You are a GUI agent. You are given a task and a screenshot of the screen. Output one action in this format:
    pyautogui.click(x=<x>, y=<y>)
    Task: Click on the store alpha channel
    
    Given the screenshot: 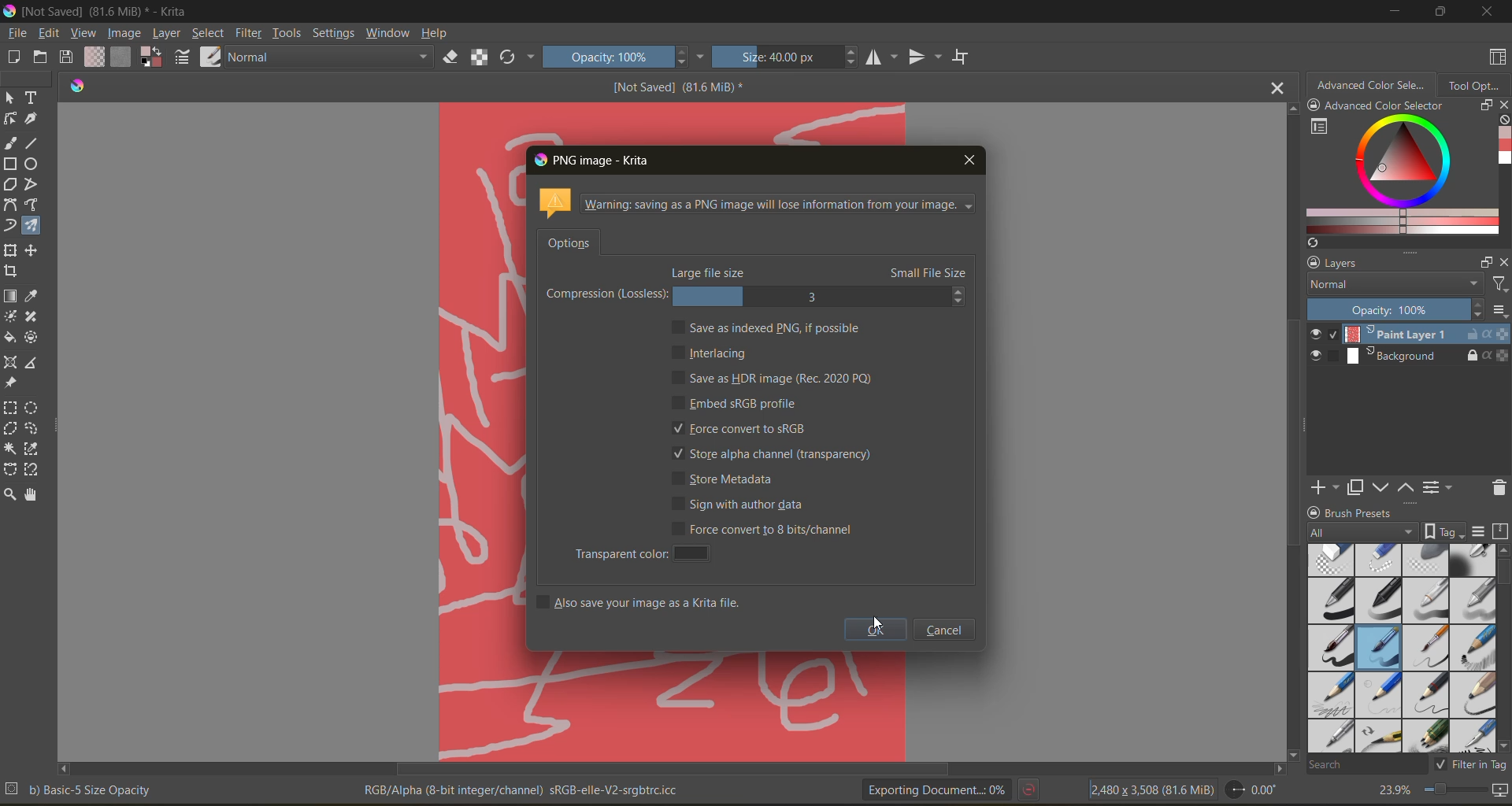 What is the action you would take?
    pyautogui.click(x=773, y=453)
    